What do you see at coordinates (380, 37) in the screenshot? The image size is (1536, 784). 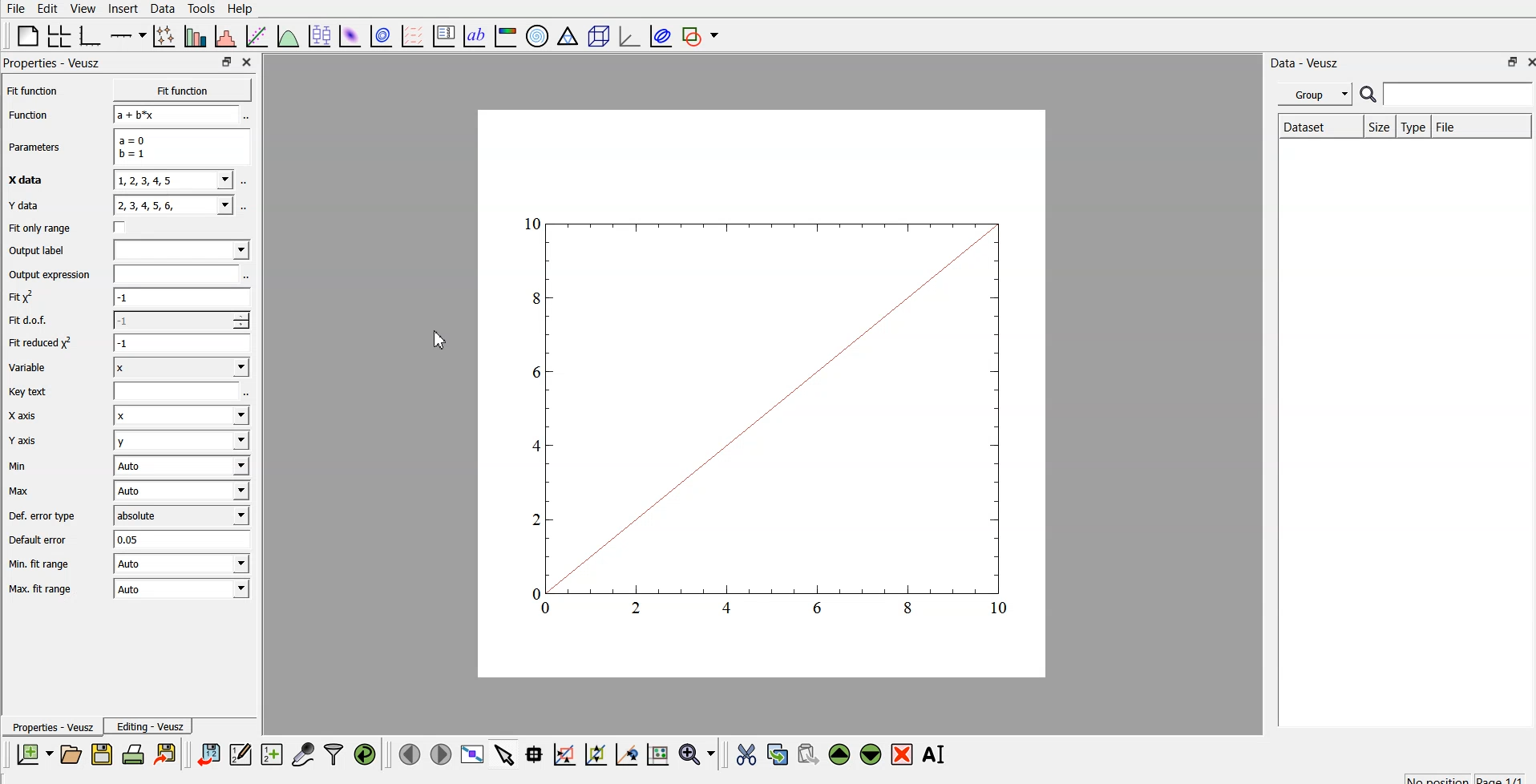 I see `plot 2d data set as contours` at bounding box center [380, 37].